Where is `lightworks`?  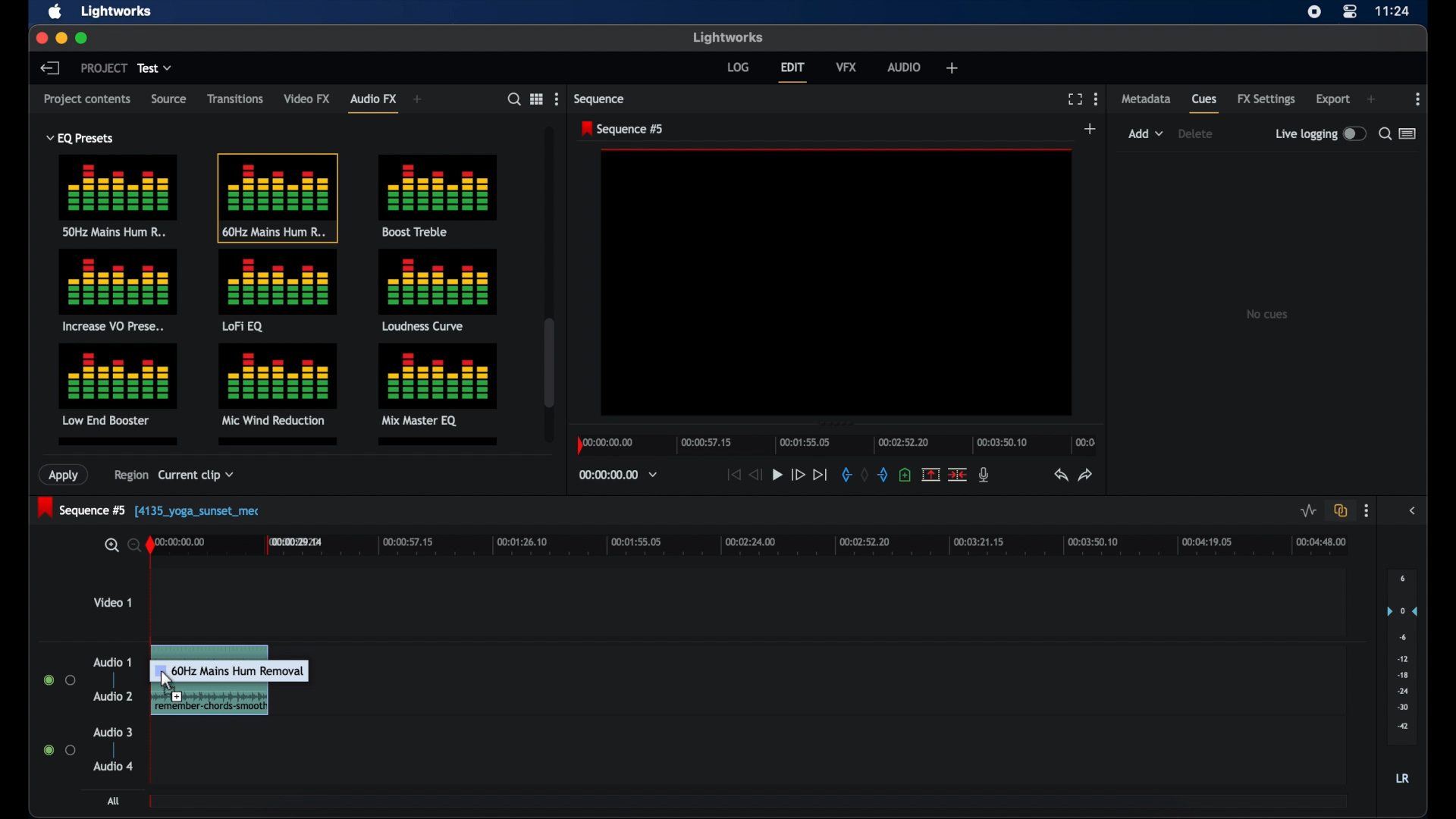
lightworks is located at coordinates (726, 36).